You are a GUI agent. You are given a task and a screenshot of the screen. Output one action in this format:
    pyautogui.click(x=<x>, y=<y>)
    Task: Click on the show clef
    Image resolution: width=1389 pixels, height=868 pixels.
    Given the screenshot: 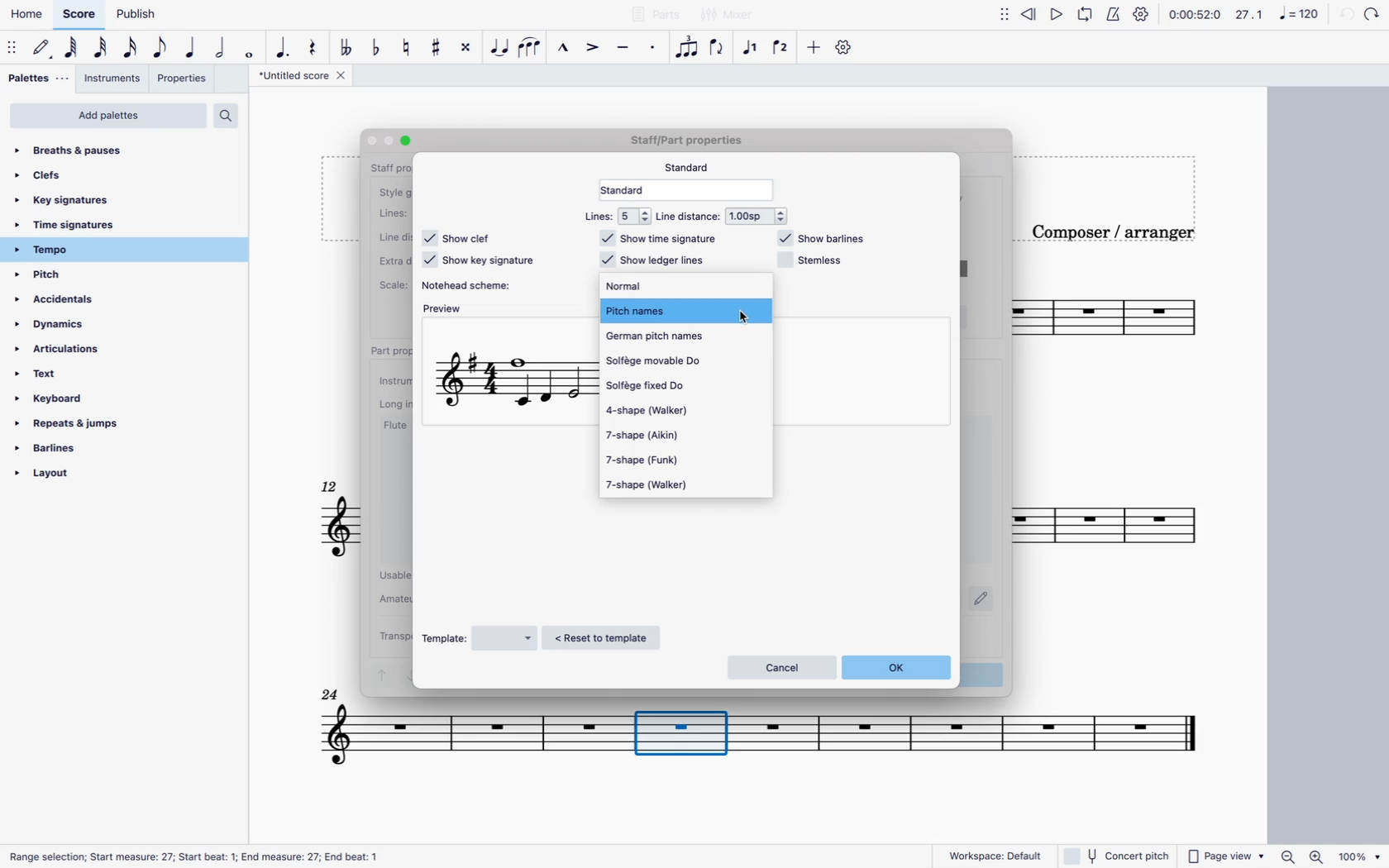 What is the action you would take?
    pyautogui.click(x=460, y=237)
    